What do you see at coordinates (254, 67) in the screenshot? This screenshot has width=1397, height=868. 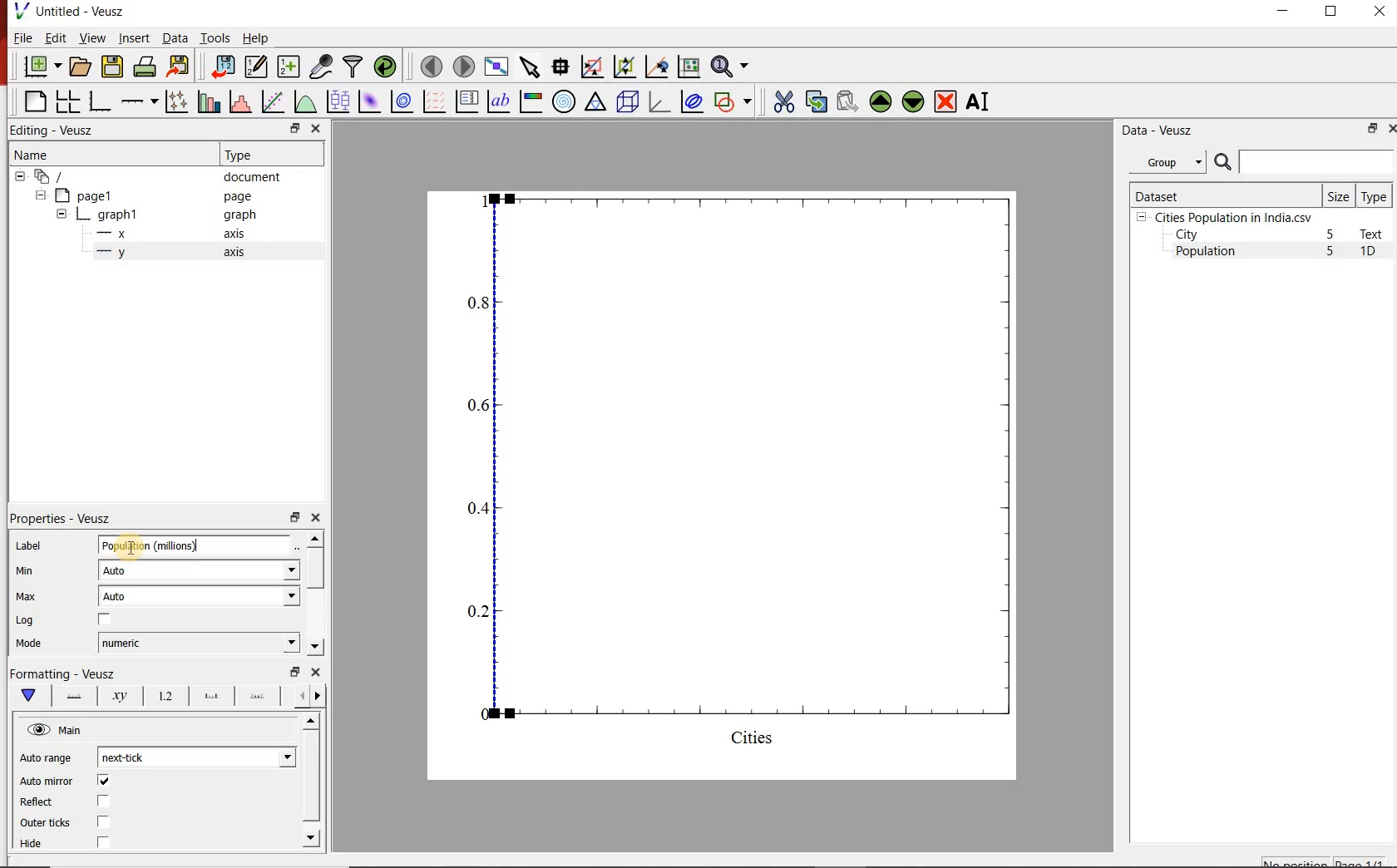 I see `edit and enter new datasets` at bounding box center [254, 67].